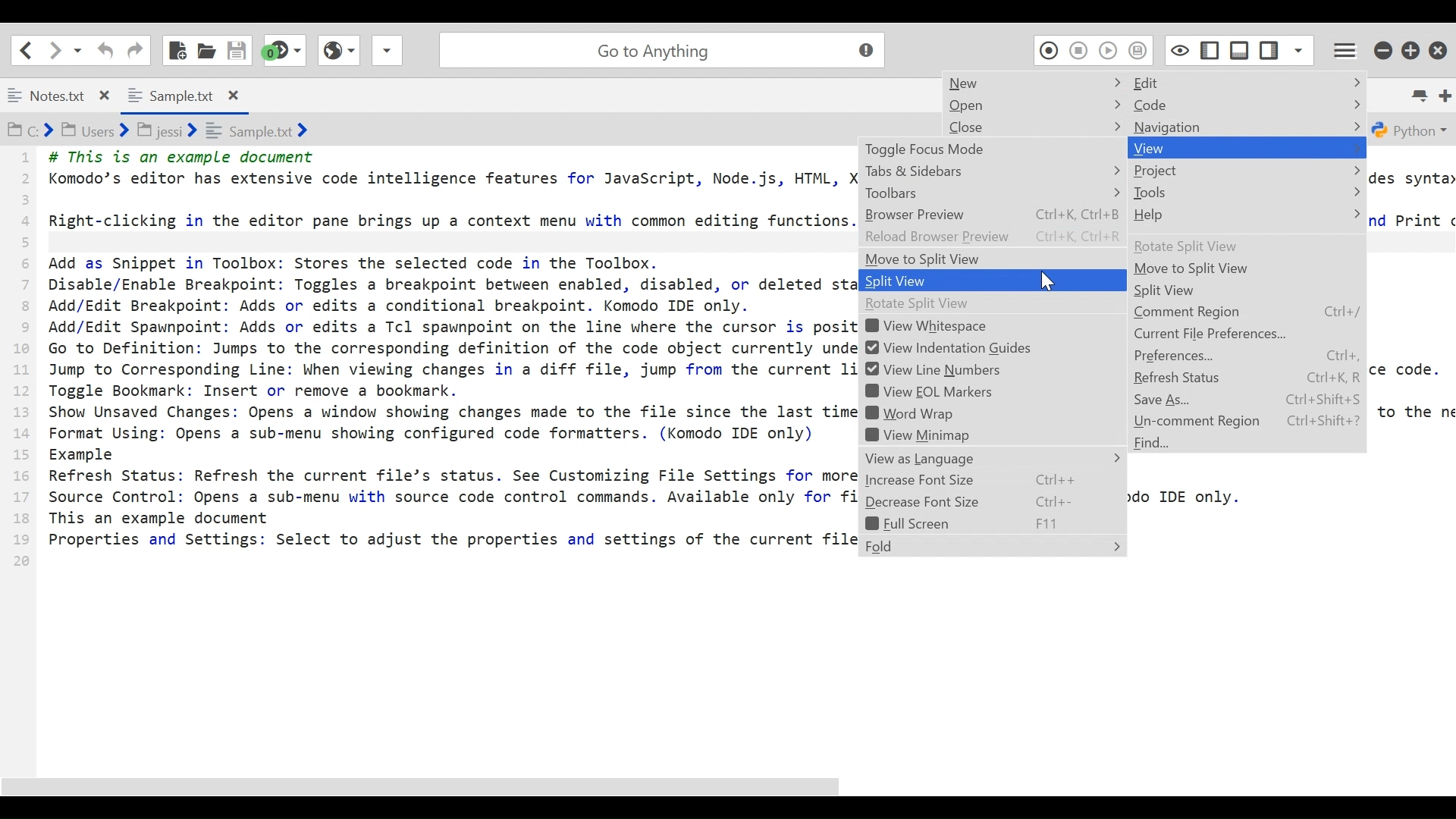  What do you see at coordinates (993, 171) in the screenshot?
I see `Tabs & Sidebars` at bounding box center [993, 171].